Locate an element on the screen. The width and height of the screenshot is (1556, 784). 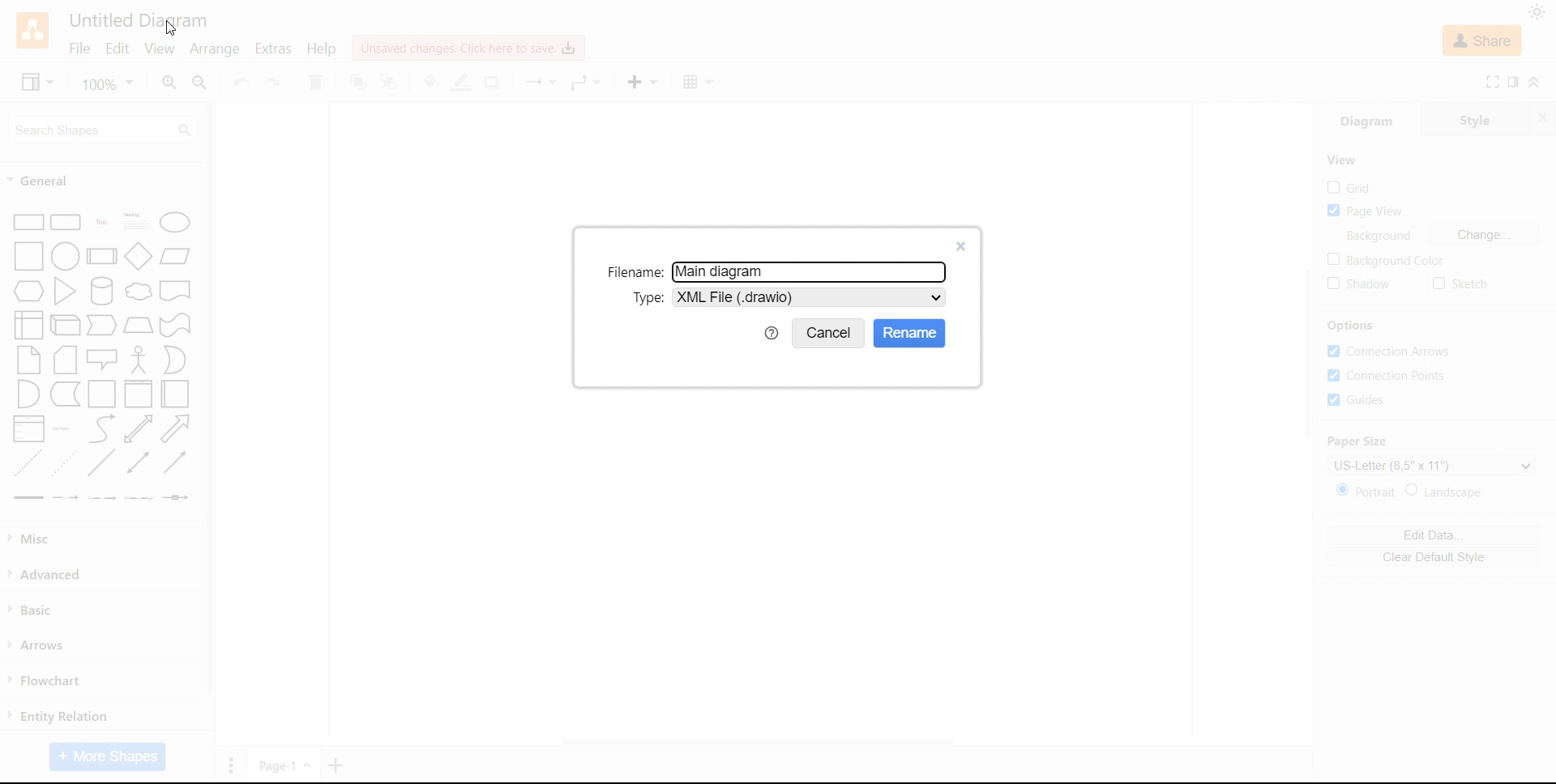
Flow chart  is located at coordinates (45, 681).